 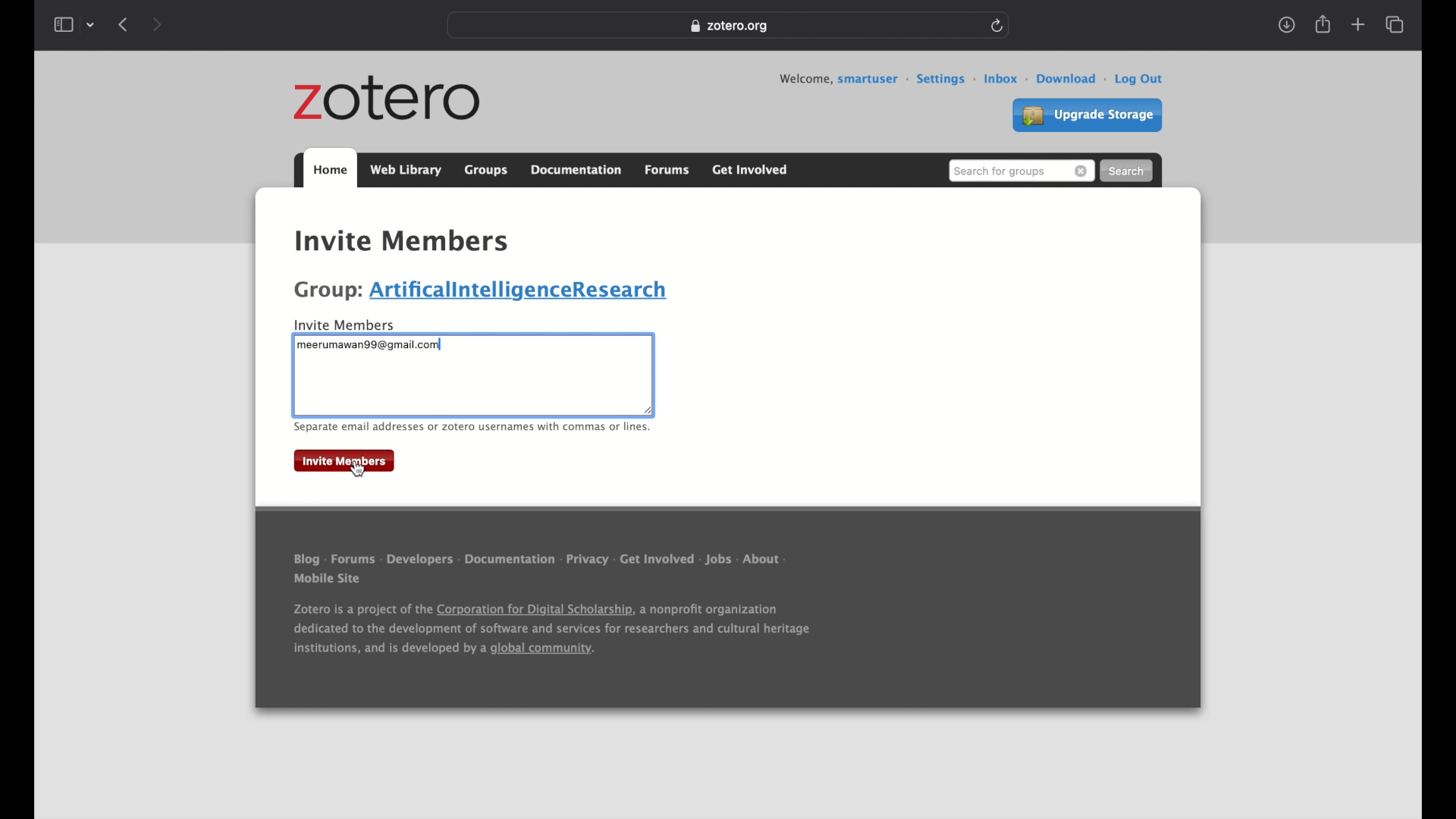 What do you see at coordinates (751, 170) in the screenshot?
I see `get involved` at bounding box center [751, 170].